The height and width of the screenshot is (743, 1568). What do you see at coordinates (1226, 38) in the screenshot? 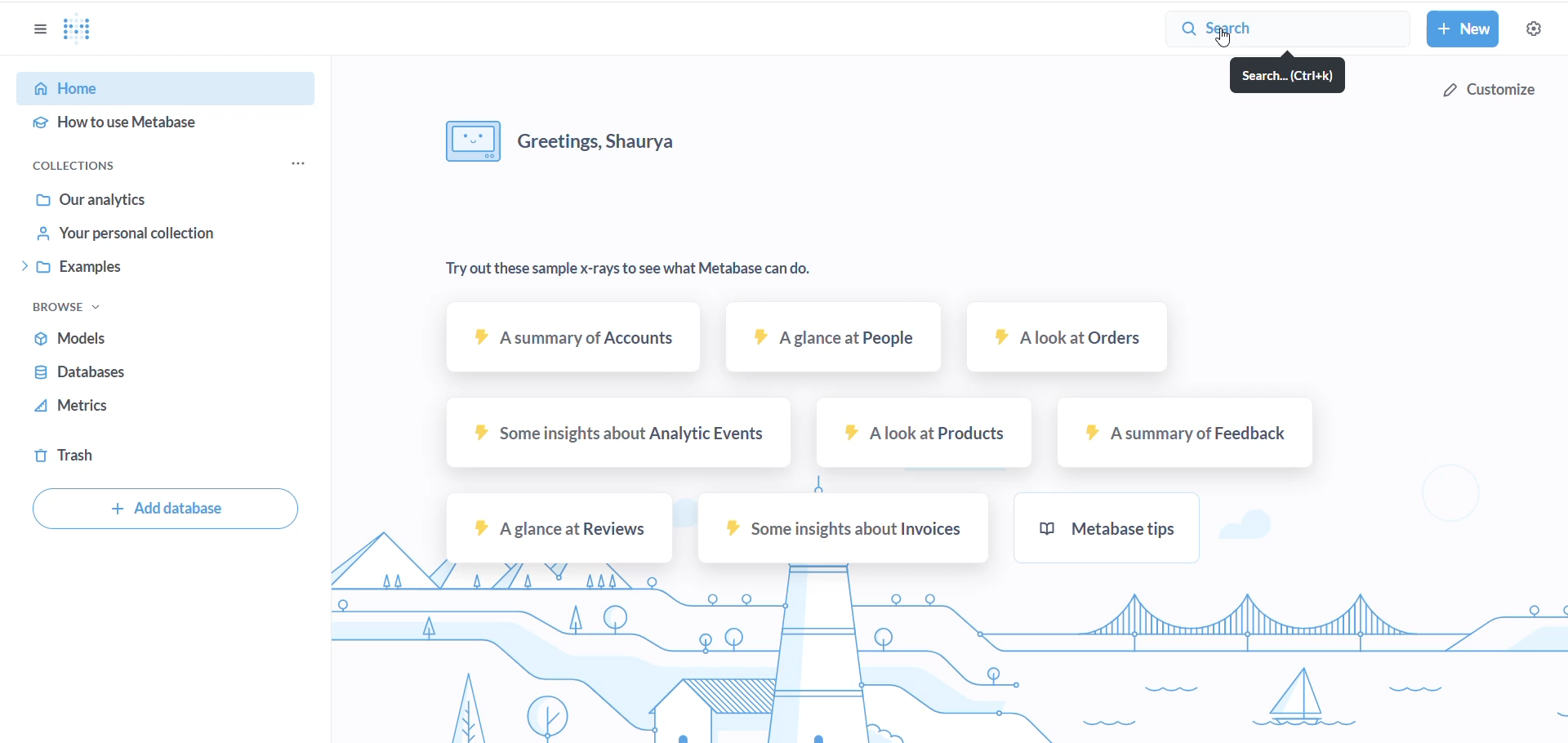
I see `cursor` at bounding box center [1226, 38].